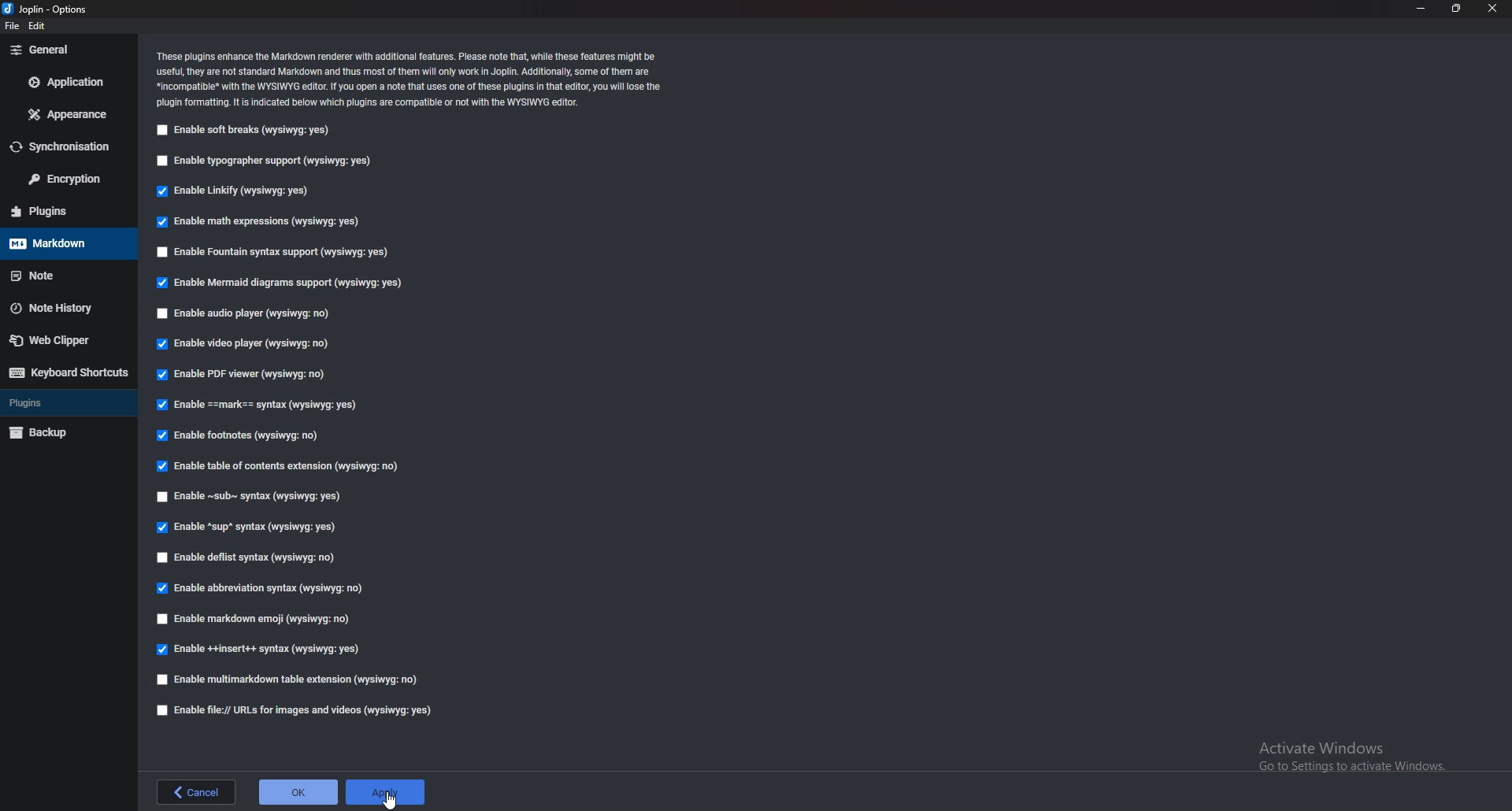 The image size is (1512, 811). Describe the element at coordinates (66, 243) in the screenshot. I see `markdown` at that location.